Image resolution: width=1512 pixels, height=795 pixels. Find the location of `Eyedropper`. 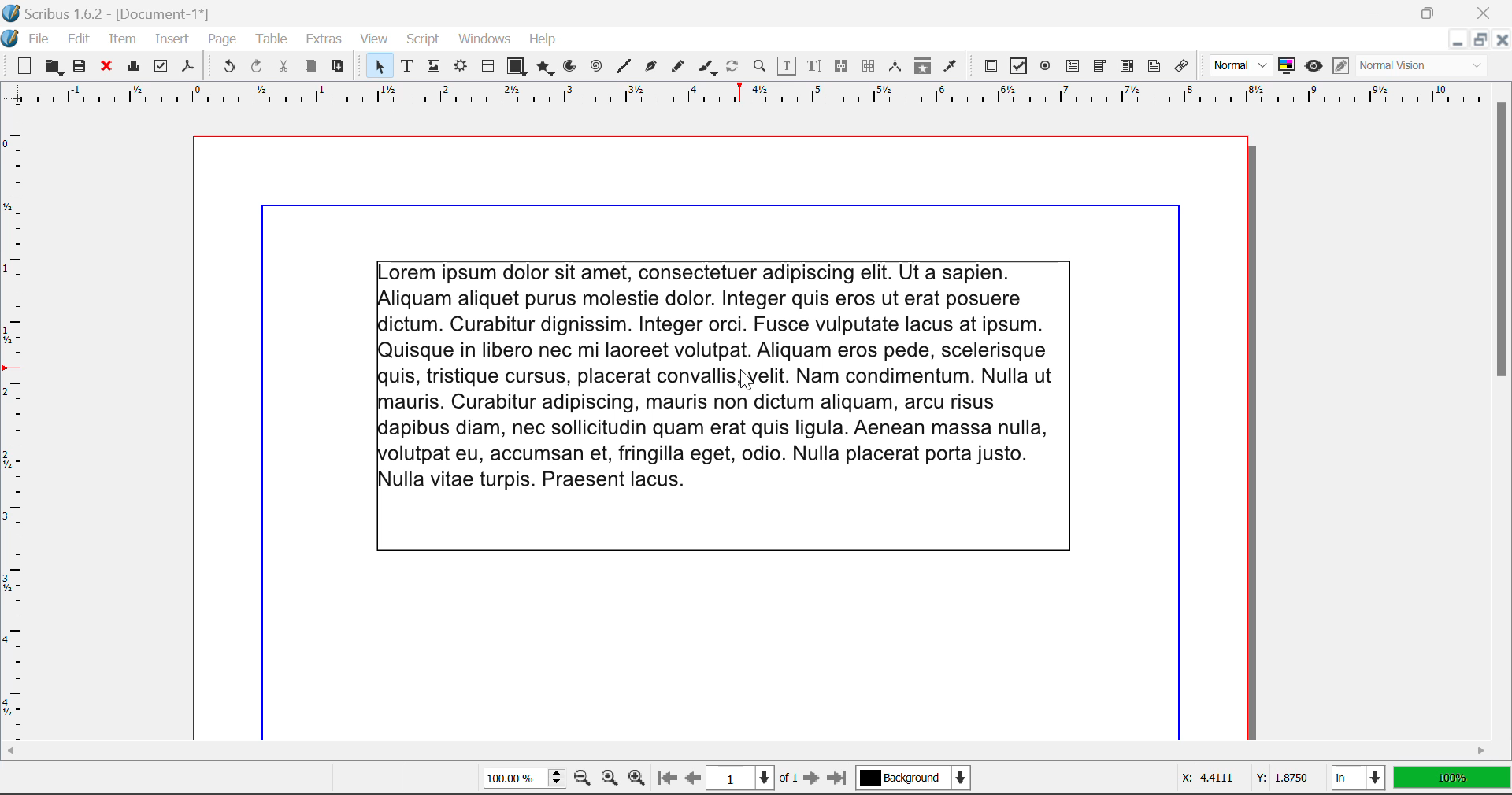

Eyedropper is located at coordinates (950, 68).